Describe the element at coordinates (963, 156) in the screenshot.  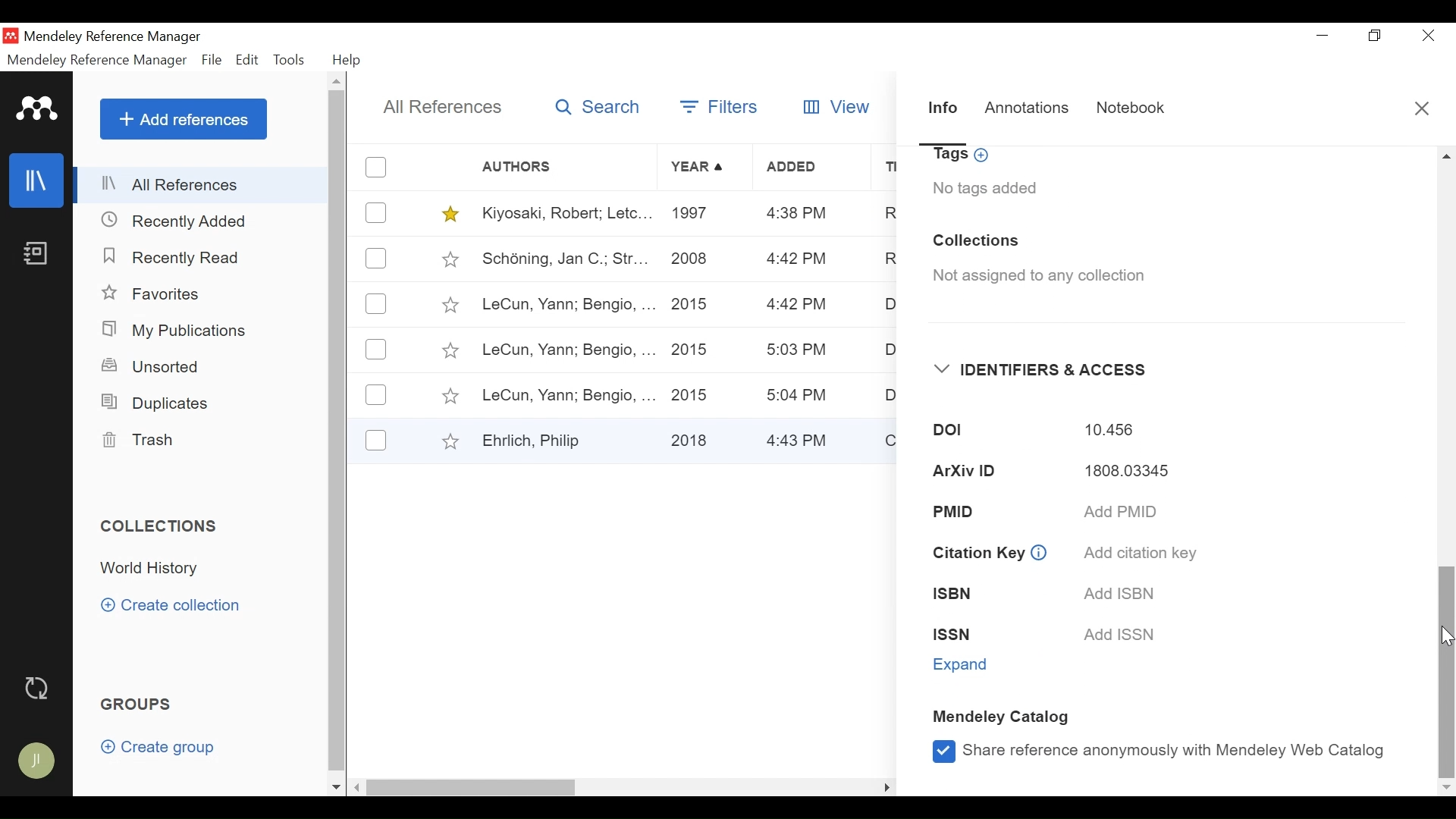
I see `Add Tags` at that location.